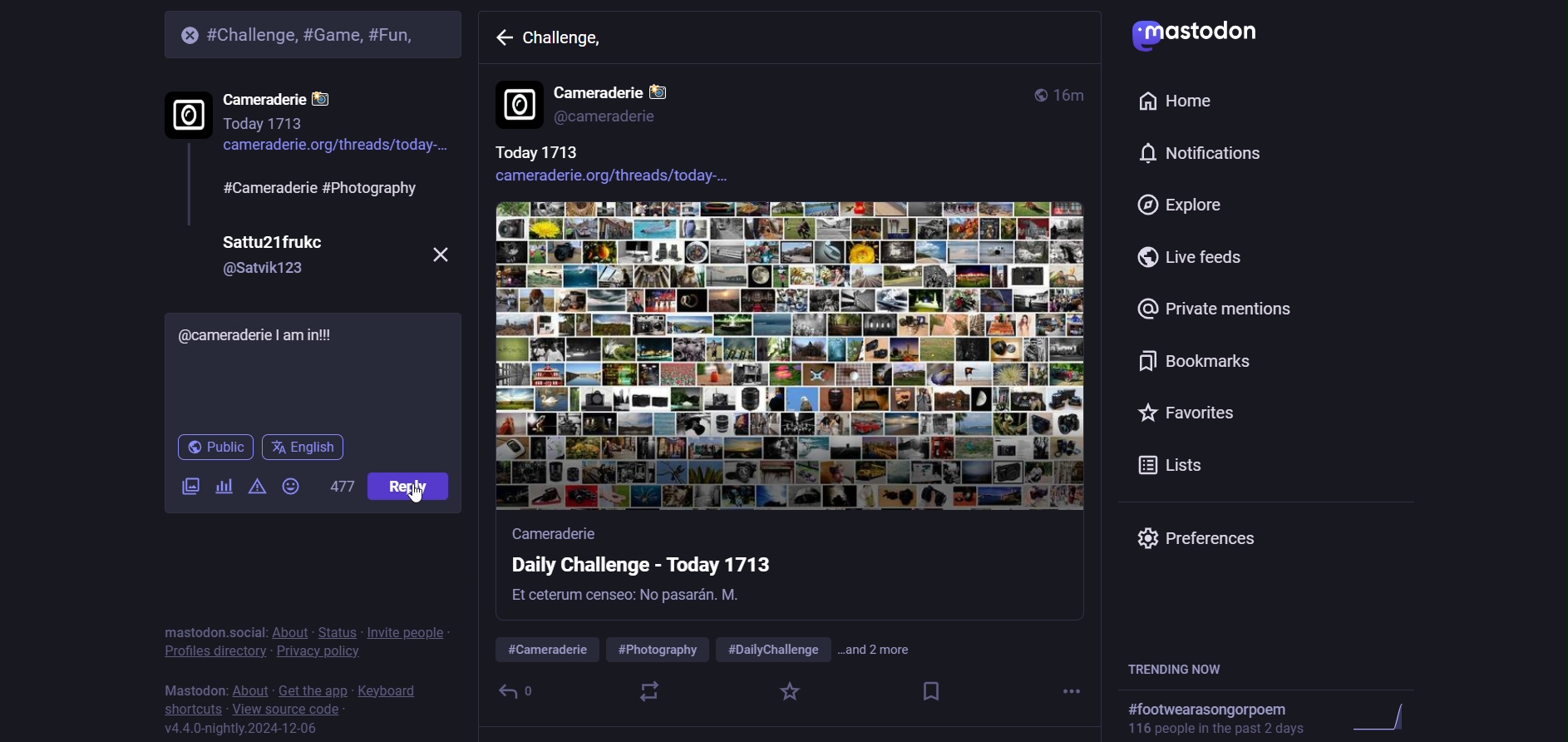  I want to click on get the app, so click(313, 688).